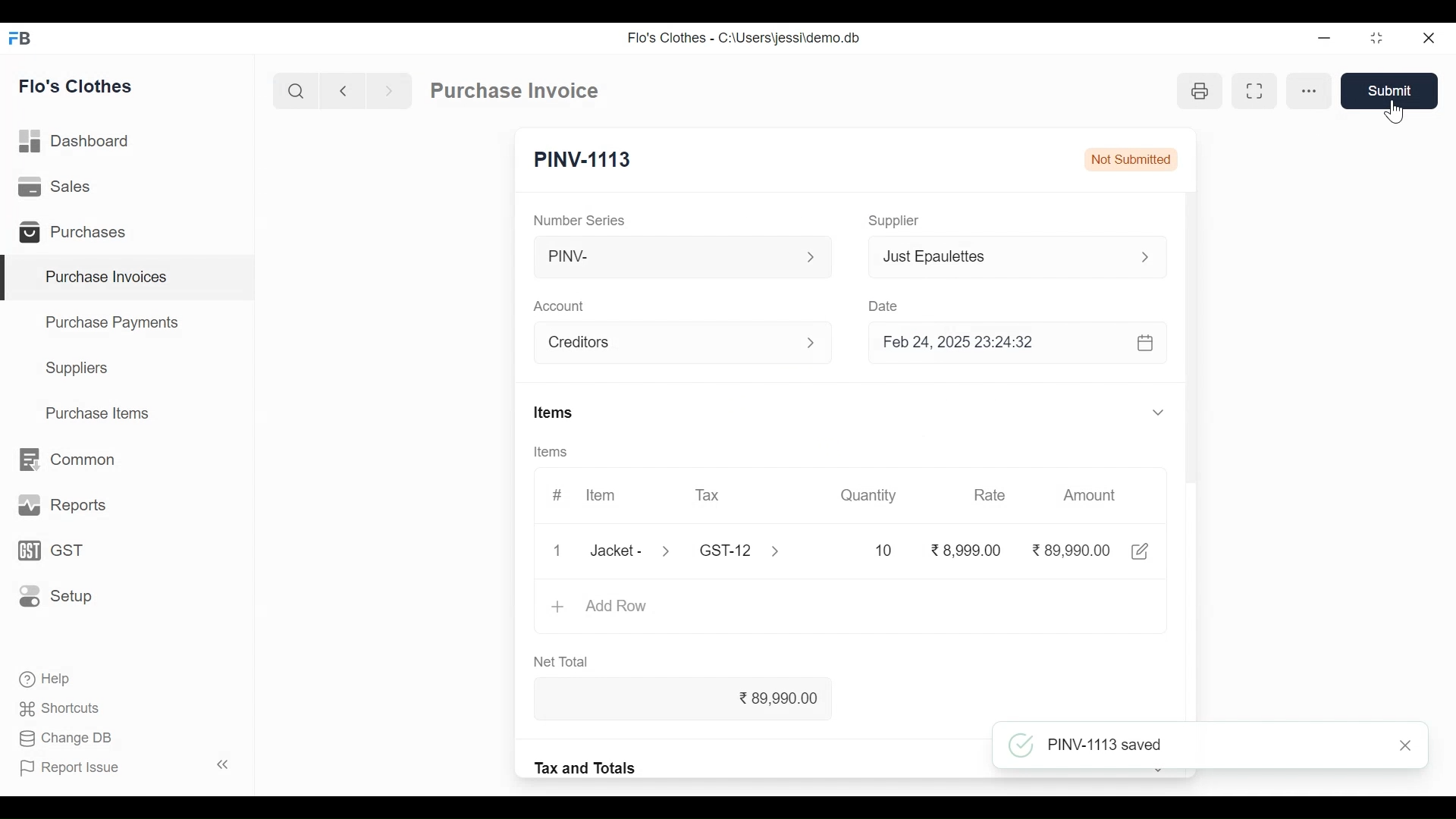  Describe the element at coordinates (967, 551) in the screenshot. I see `8,999.00` at that location.